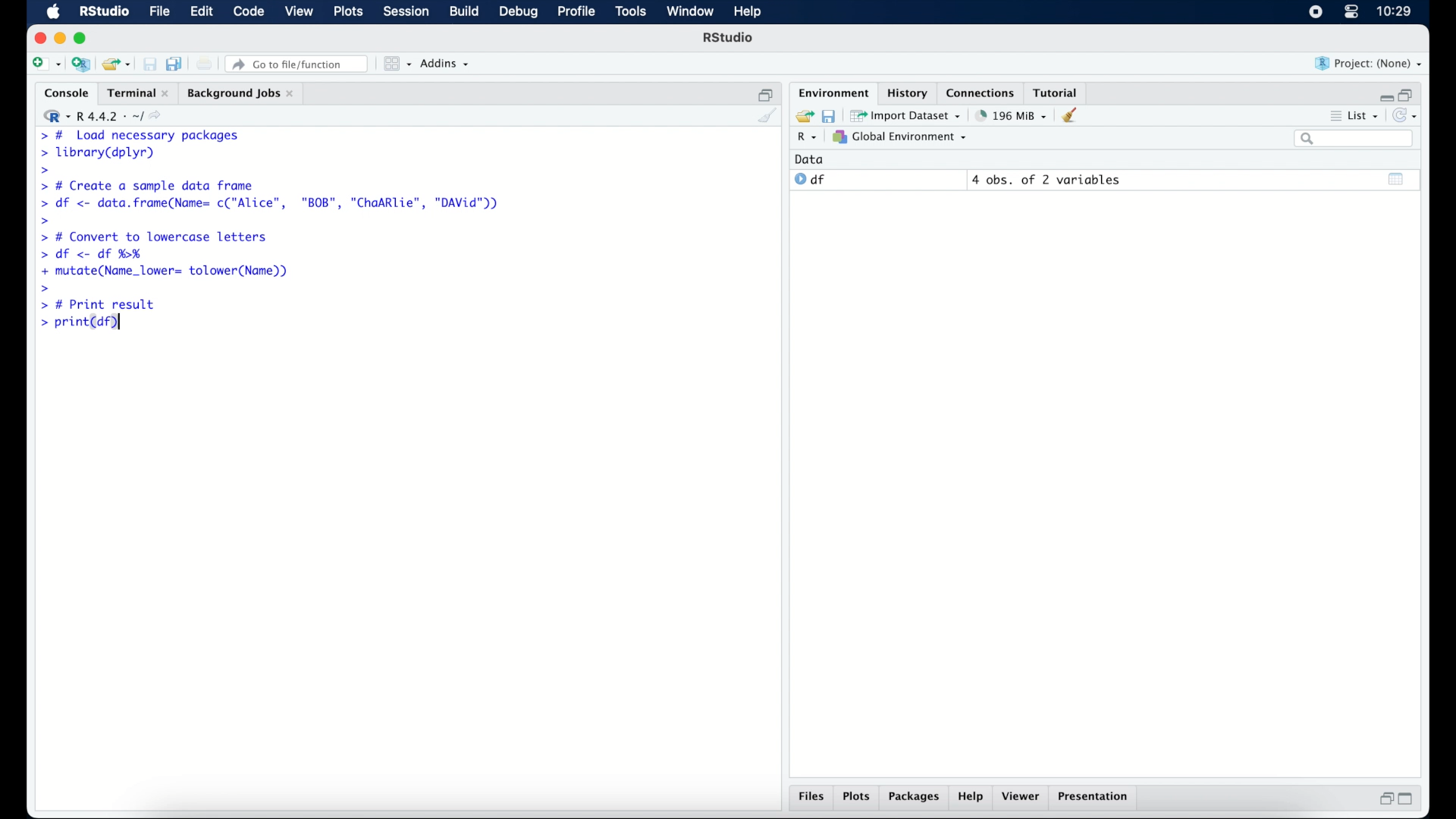 This screenshot has height=819, width=1456. What do you see at coordinates (828, 115) in the screenshot?
I see `save` at bounding box center [828, 115].